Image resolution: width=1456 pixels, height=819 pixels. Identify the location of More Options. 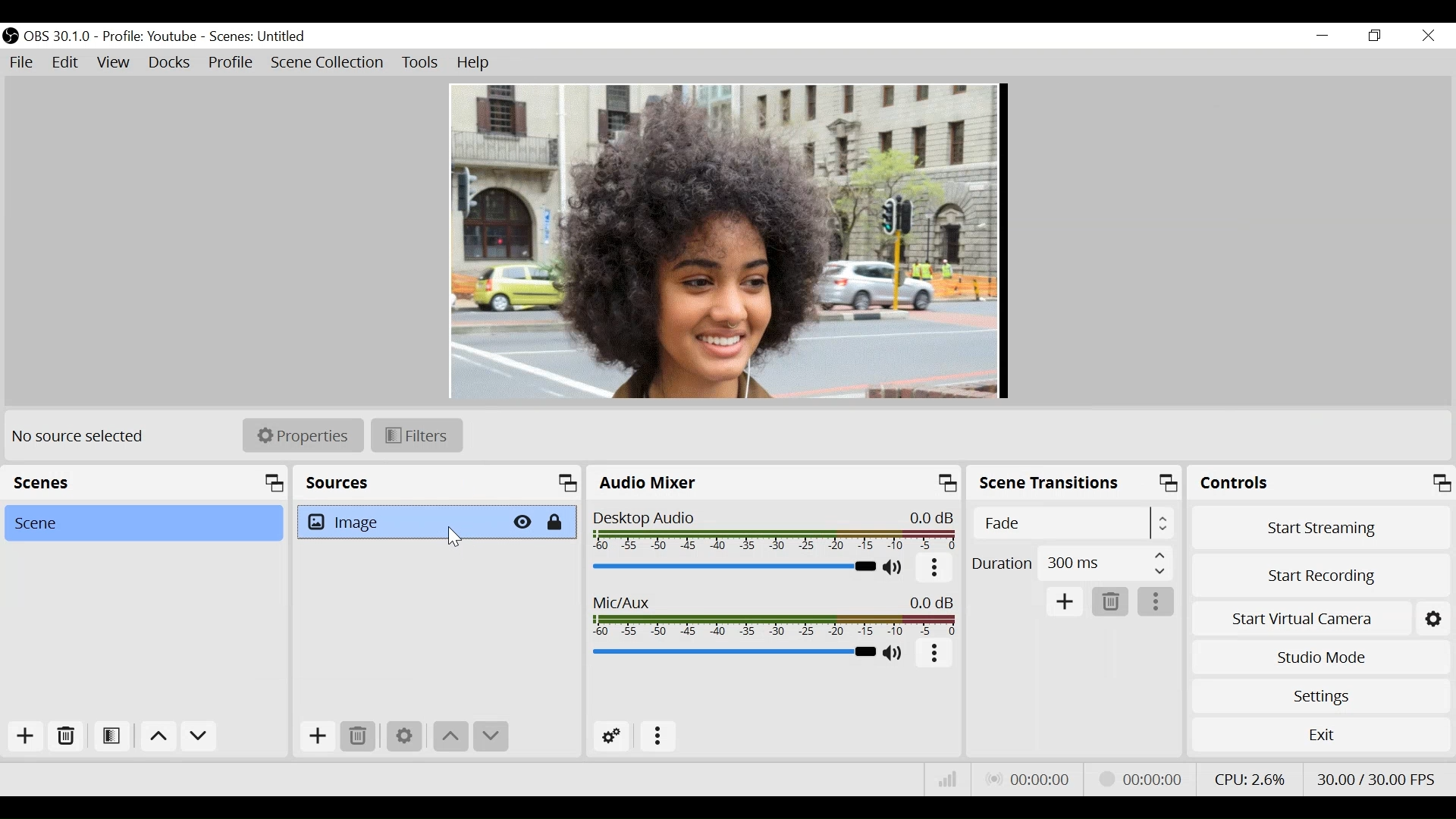
(1155, 601).